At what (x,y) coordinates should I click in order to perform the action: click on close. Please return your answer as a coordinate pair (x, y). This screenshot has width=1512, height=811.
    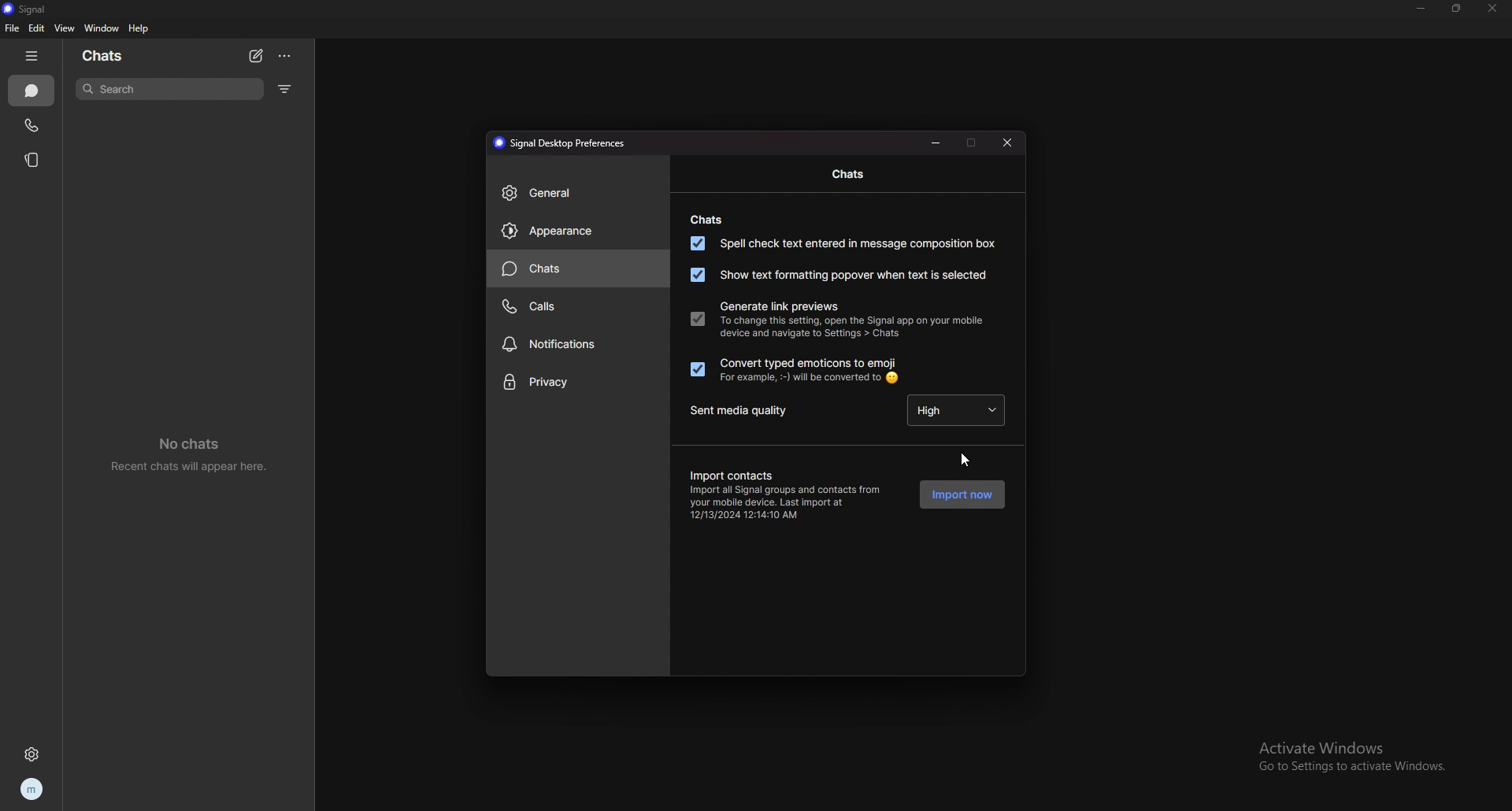
    Looking at the image, I should click on (1491, 9).